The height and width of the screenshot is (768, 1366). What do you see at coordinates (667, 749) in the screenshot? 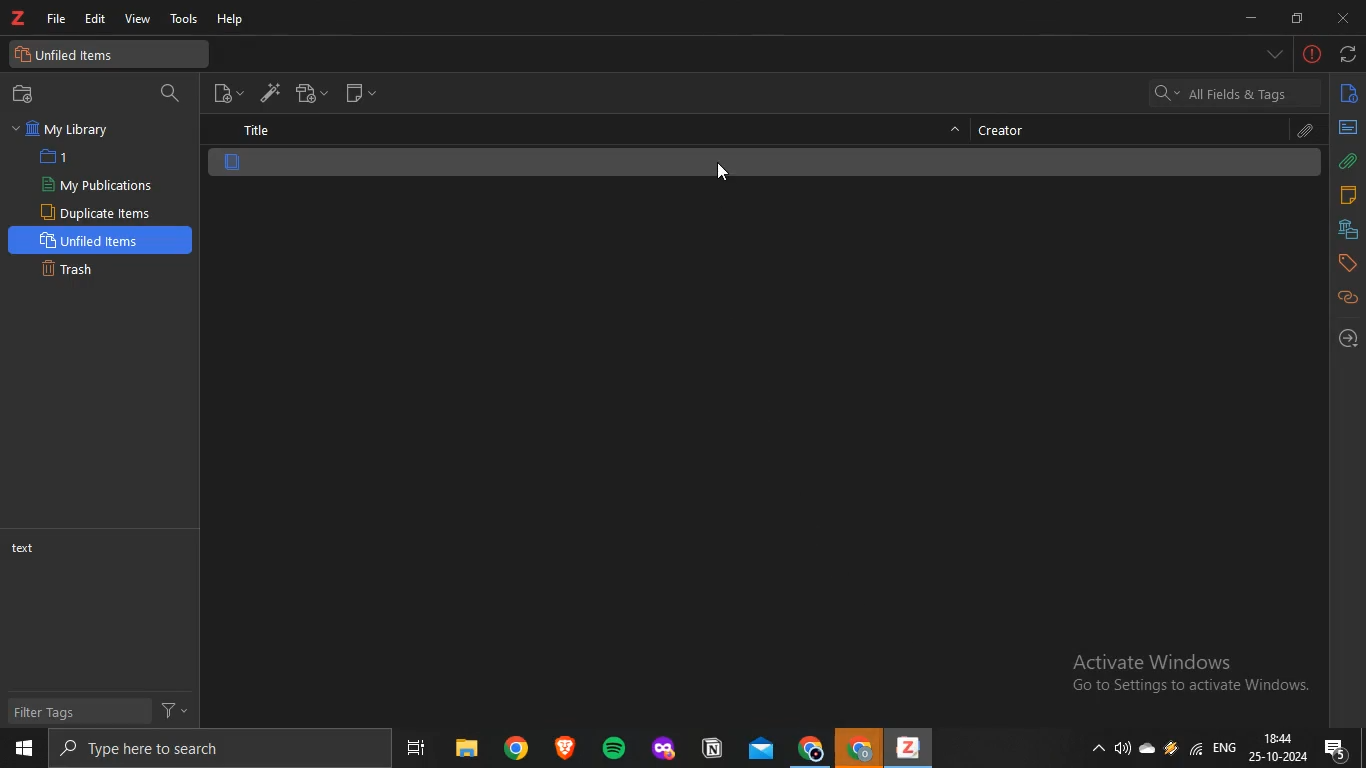
I see `app` at bounding box center [667, 749].